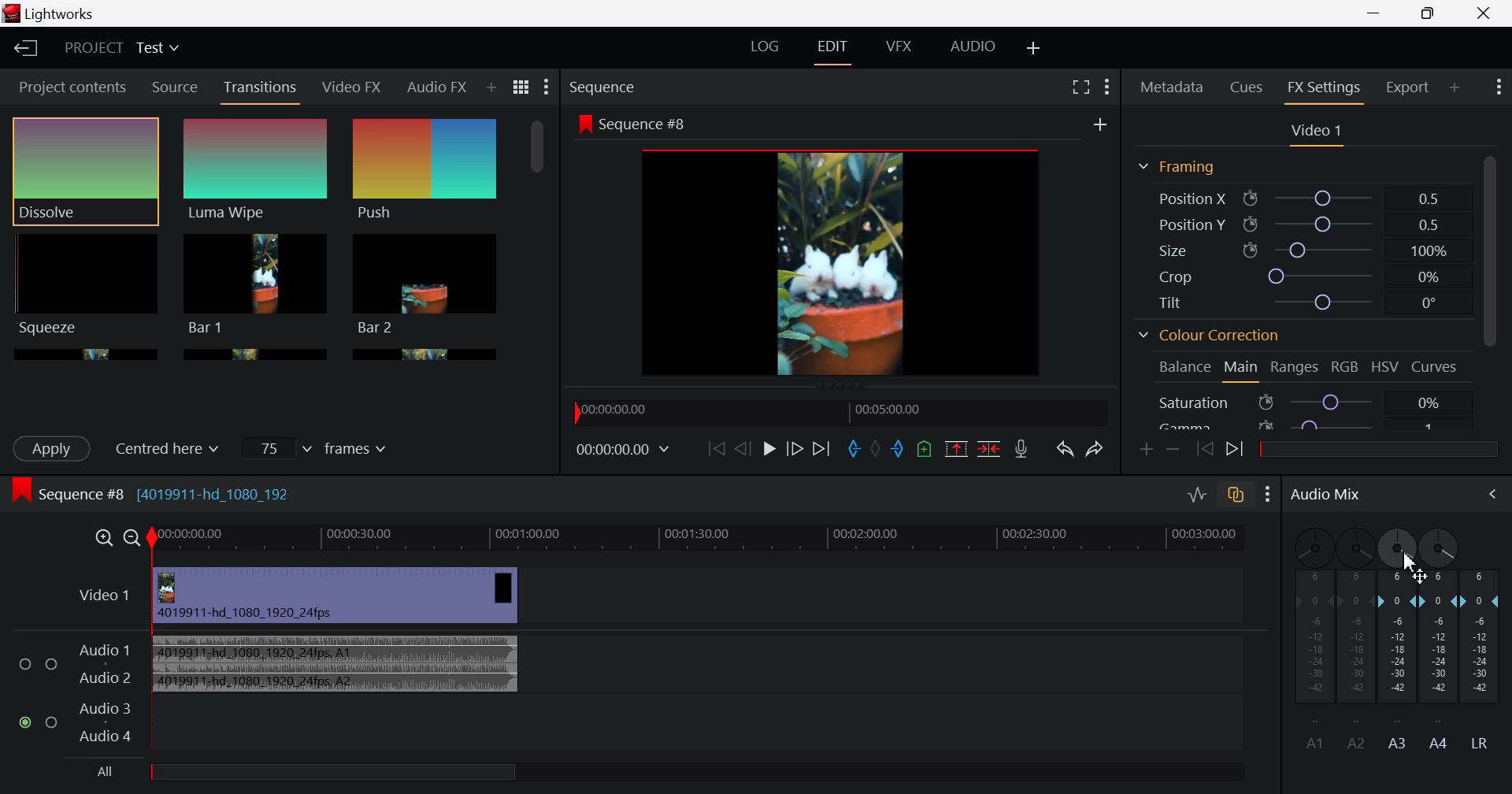  Describe the element at coordinates (1106, 87) in the screenshot. I see `Show Settings` at that location.